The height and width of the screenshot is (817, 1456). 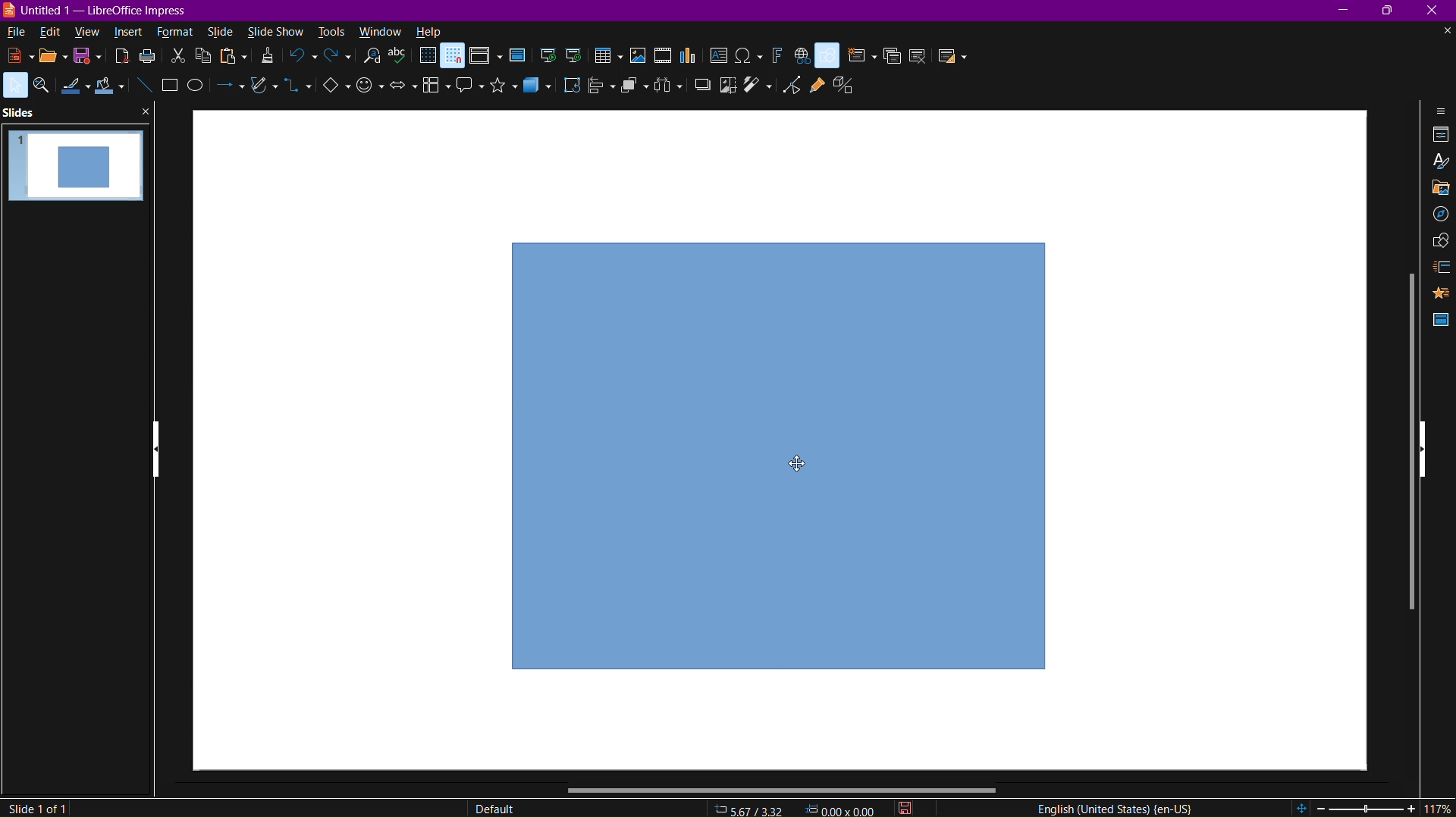 What do you see at coordinates (1437, 242) in the screenshot?
I see `Shapes` at bounding box center [1437, 242].